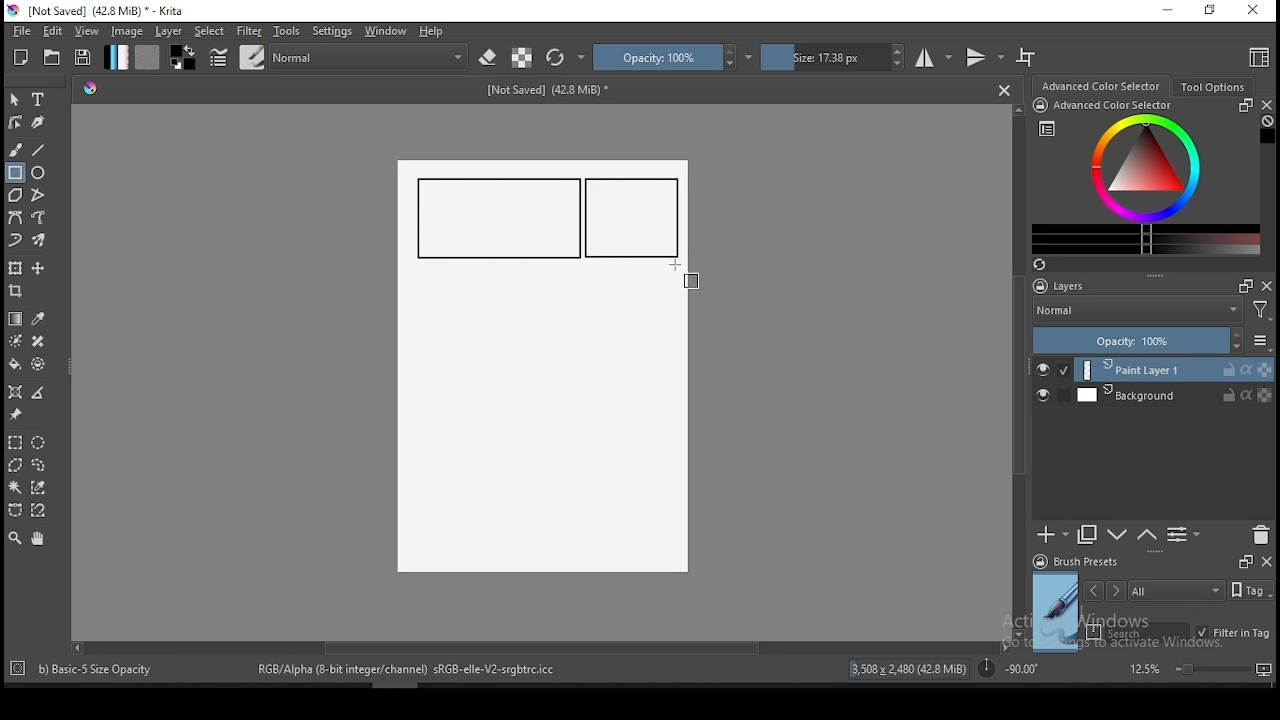  What do you see at coordinates (36, 510) in the screenshot?
I see `magnetic curve selection tool` at bounding box center [36, 510].